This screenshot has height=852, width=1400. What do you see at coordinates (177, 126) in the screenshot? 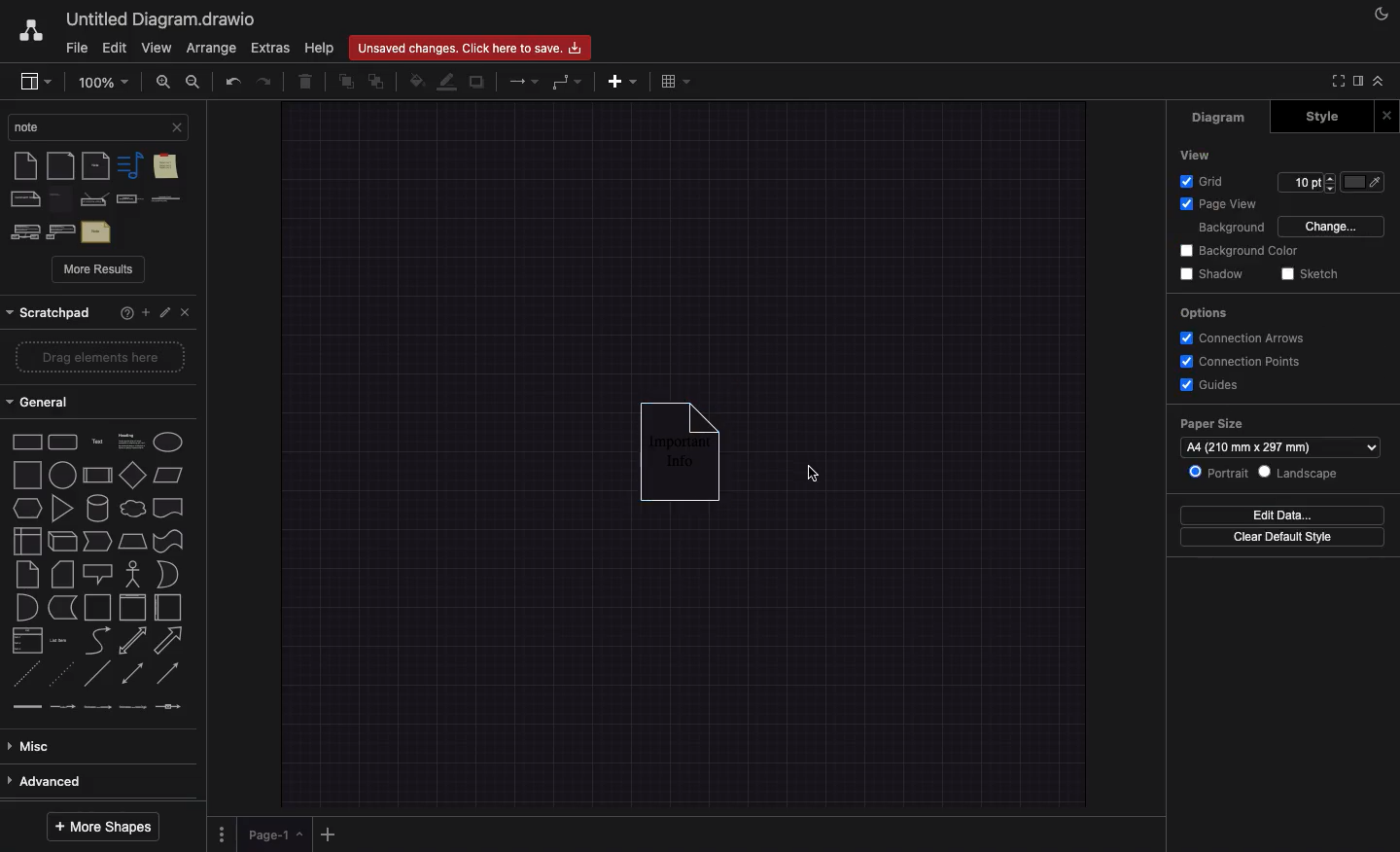
I see `close` at bounding box center [177, 126].